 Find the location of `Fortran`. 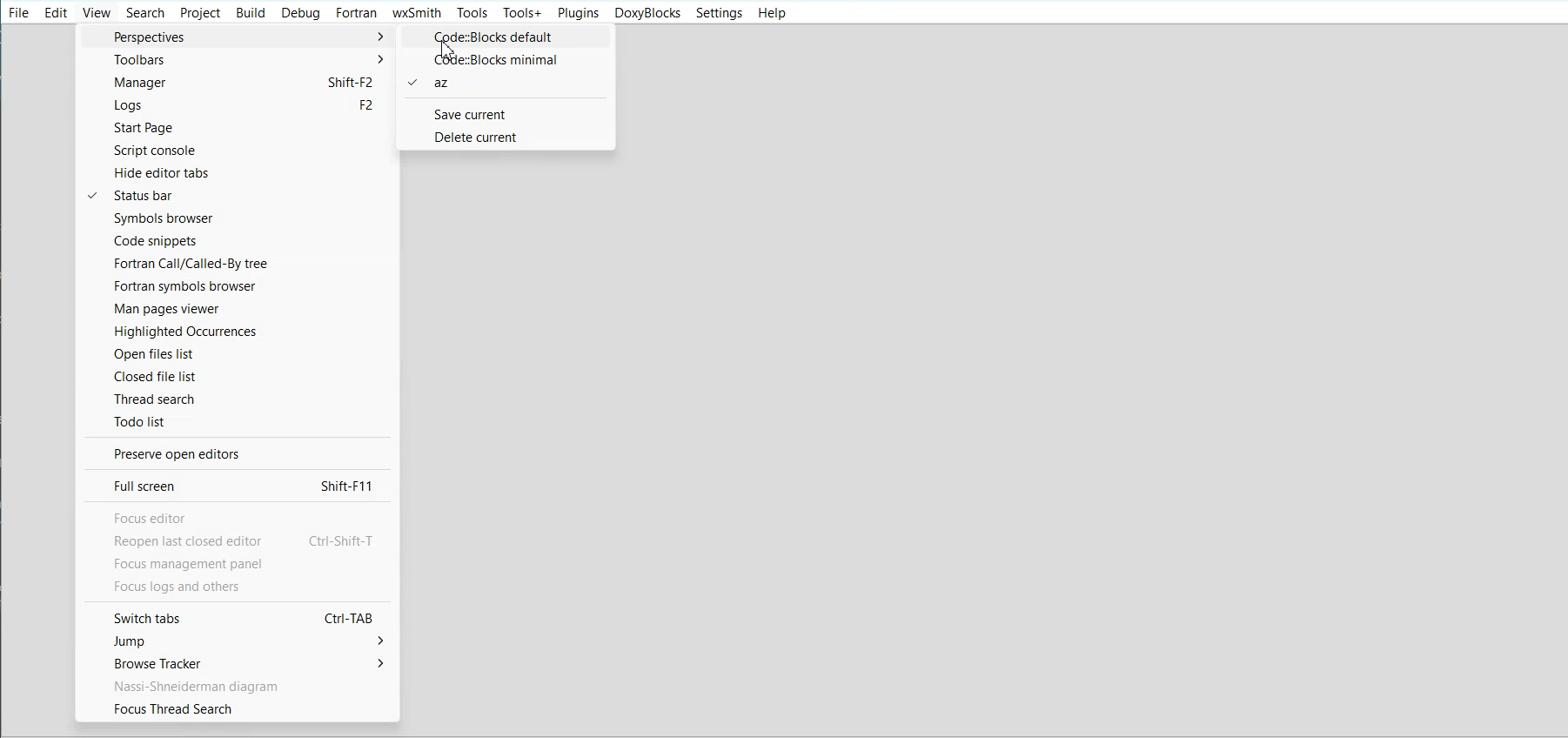

Fortran is located at coordinates (357, 13).